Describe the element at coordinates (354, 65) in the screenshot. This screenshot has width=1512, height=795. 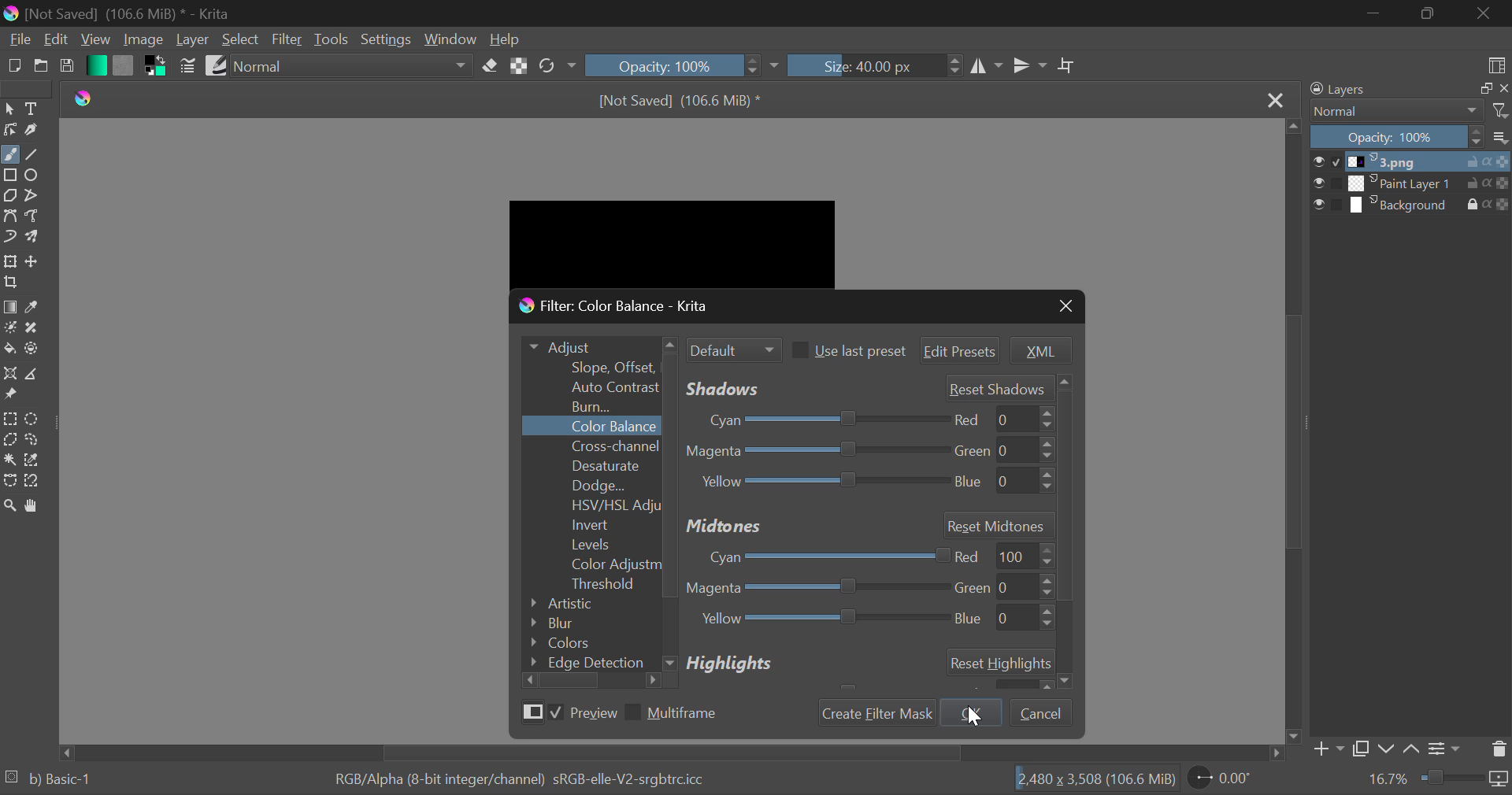
I see `Blending Mode` at that location.